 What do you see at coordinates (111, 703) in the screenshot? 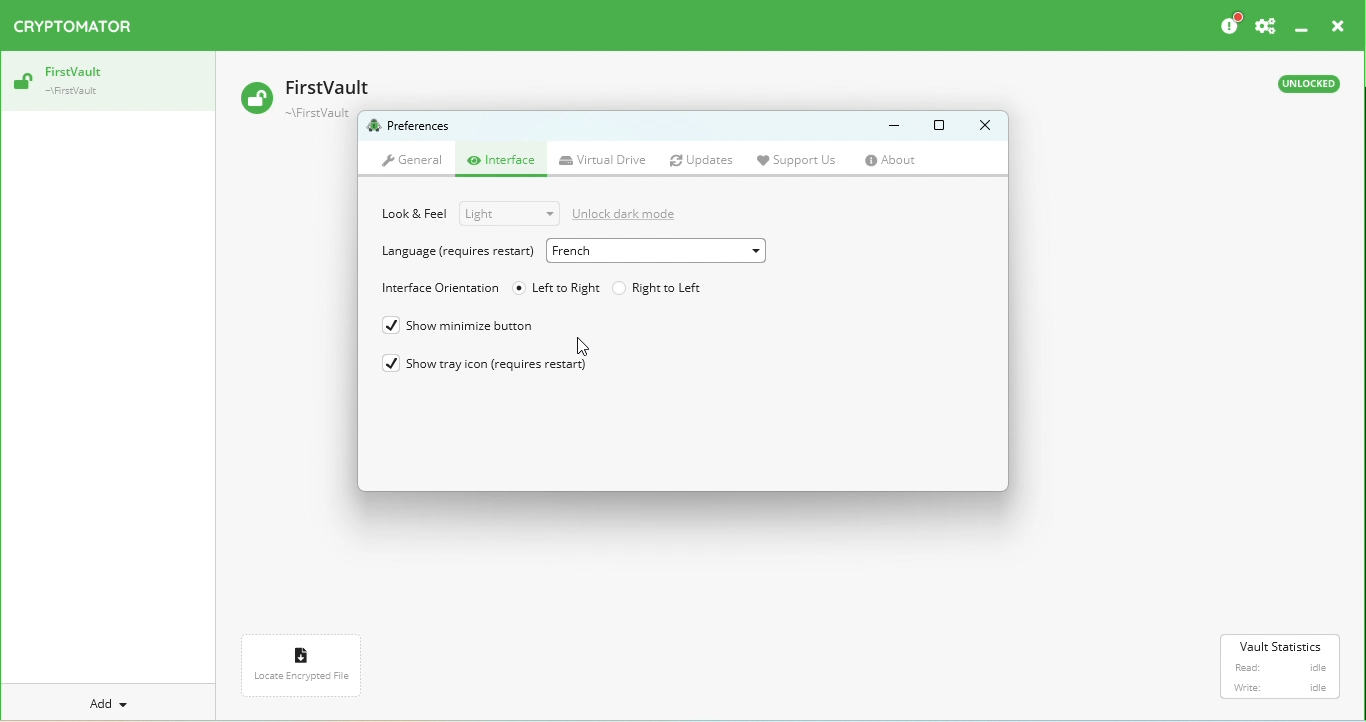
I see `Add a new vault` at bounding box center [111, 703].